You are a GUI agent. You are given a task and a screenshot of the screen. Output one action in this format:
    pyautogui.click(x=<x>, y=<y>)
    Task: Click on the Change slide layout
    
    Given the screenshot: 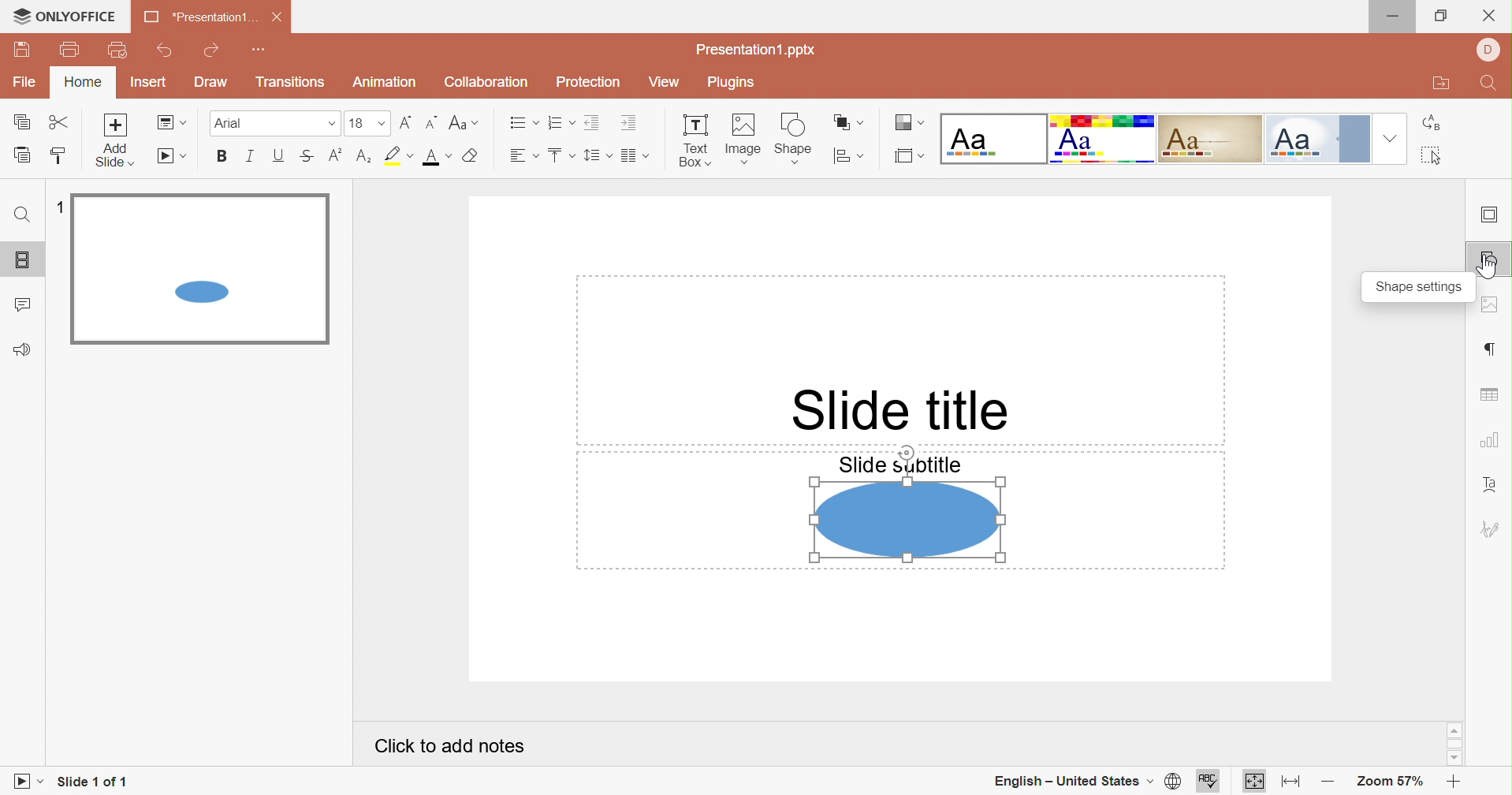 What is the action you would take?
    pyautogui.click(x=171, y=124)
    